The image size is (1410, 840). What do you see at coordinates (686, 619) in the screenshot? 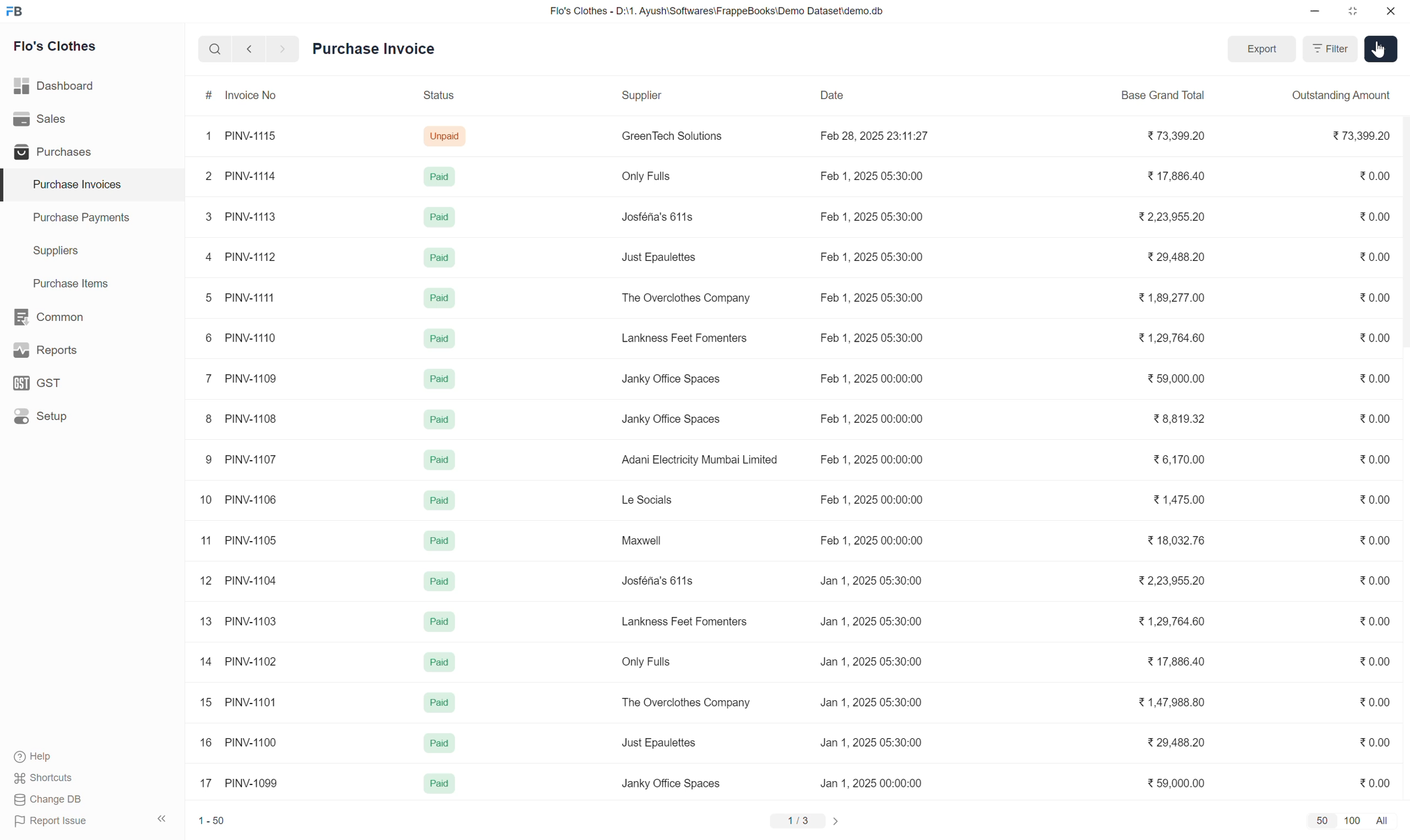
I see `Lankness Feet Fomenters` at bounding box center [686, 619].